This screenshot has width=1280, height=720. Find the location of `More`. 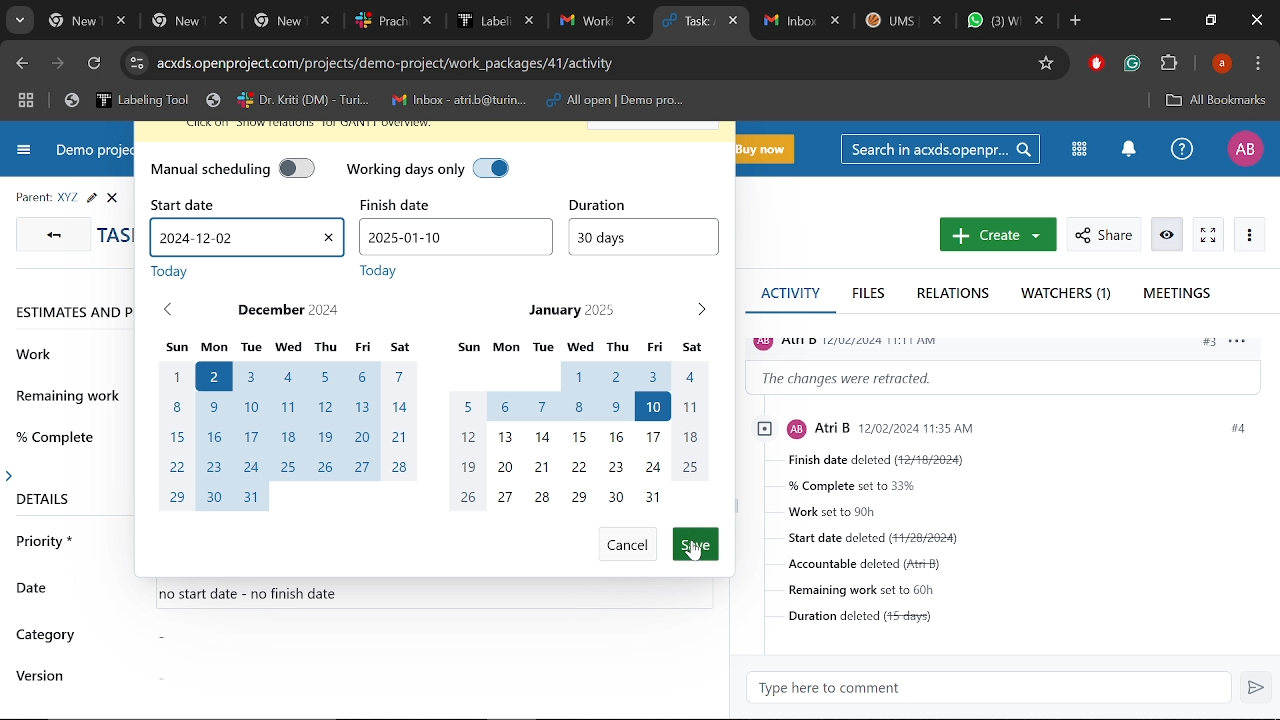

More is located at coordinates (1248, 233).